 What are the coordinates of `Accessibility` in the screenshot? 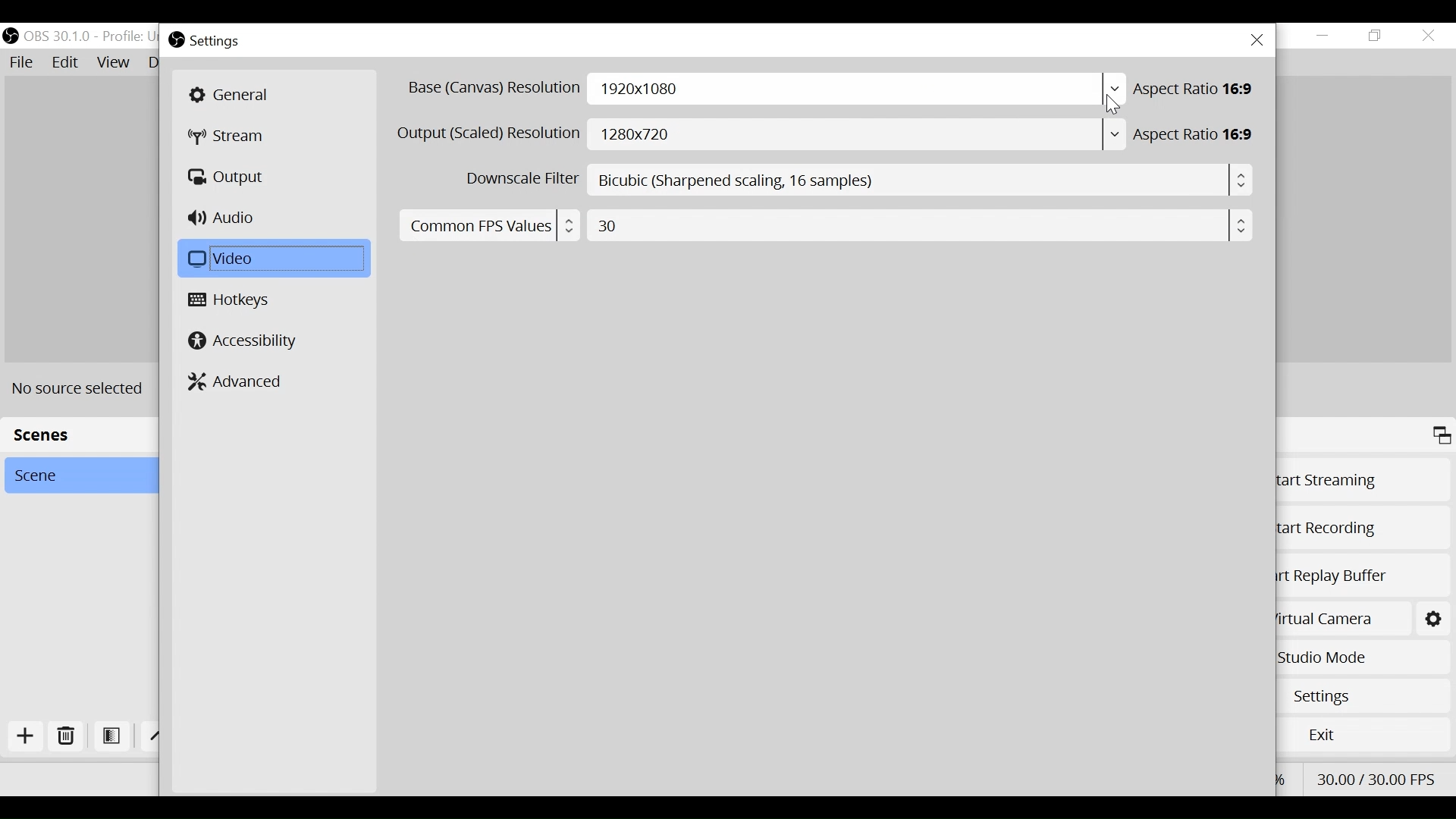 It's located at (243, 340).